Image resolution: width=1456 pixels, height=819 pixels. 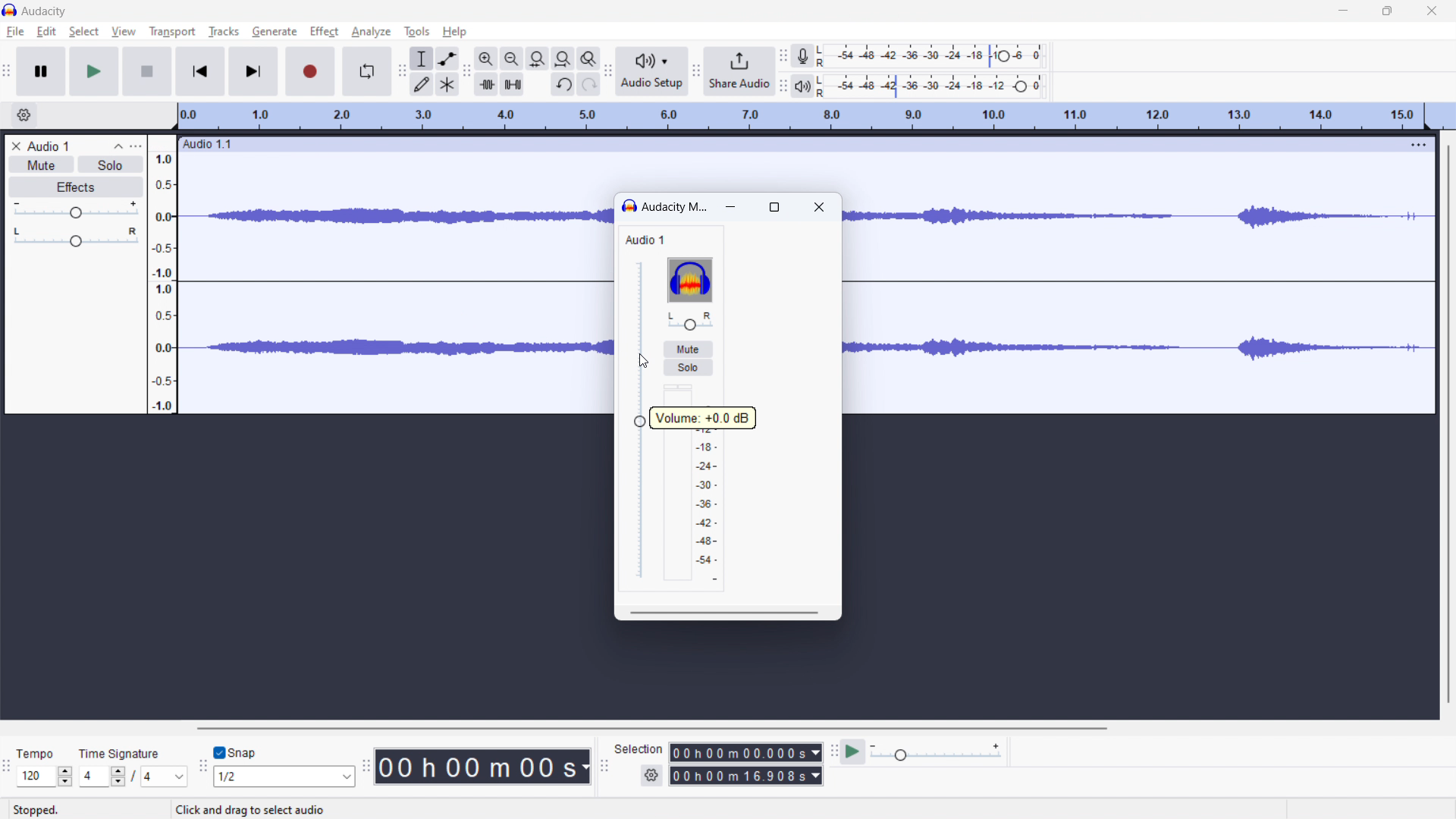 I want to click on skip to end, so click(x=255, y=71).